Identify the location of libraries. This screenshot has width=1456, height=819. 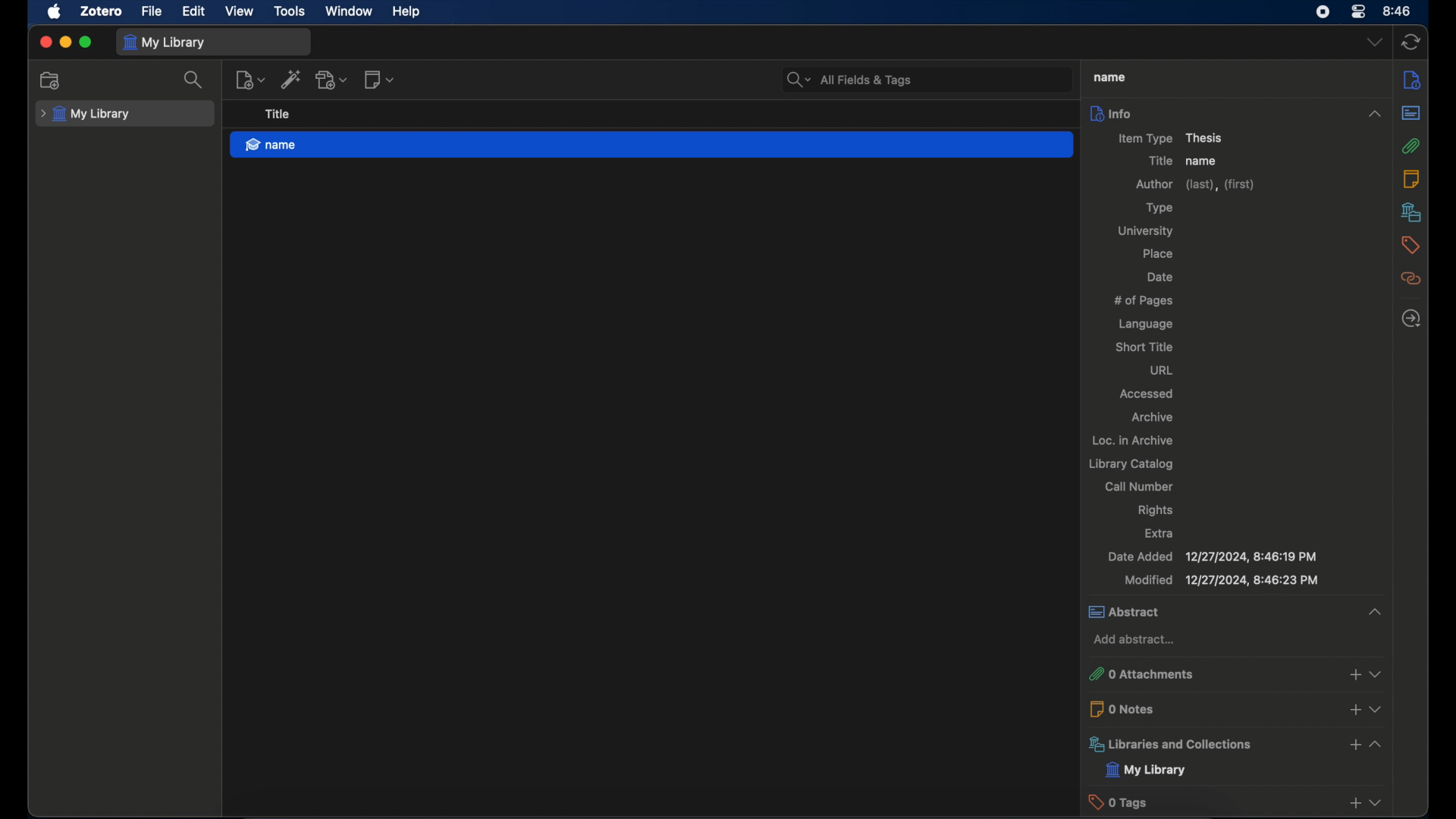
(1412, 212).